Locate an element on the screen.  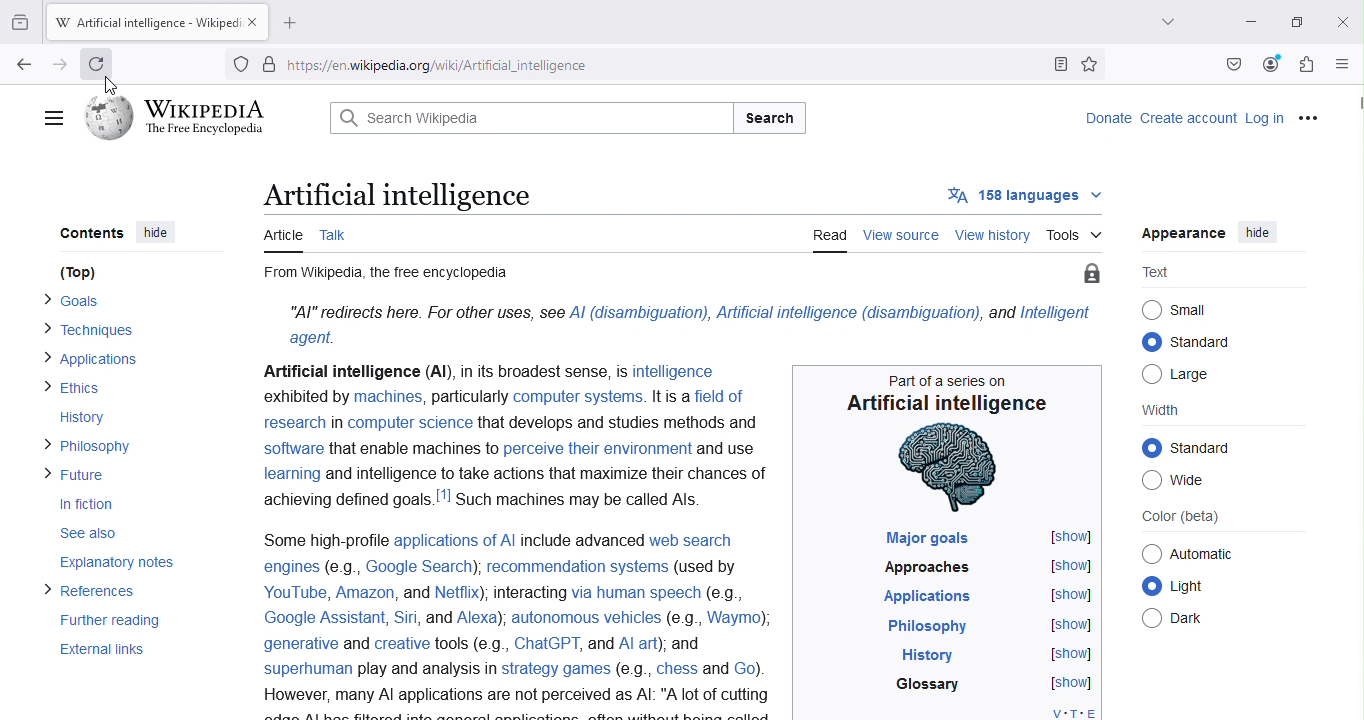
External links. is located at coordinates (106, 655).